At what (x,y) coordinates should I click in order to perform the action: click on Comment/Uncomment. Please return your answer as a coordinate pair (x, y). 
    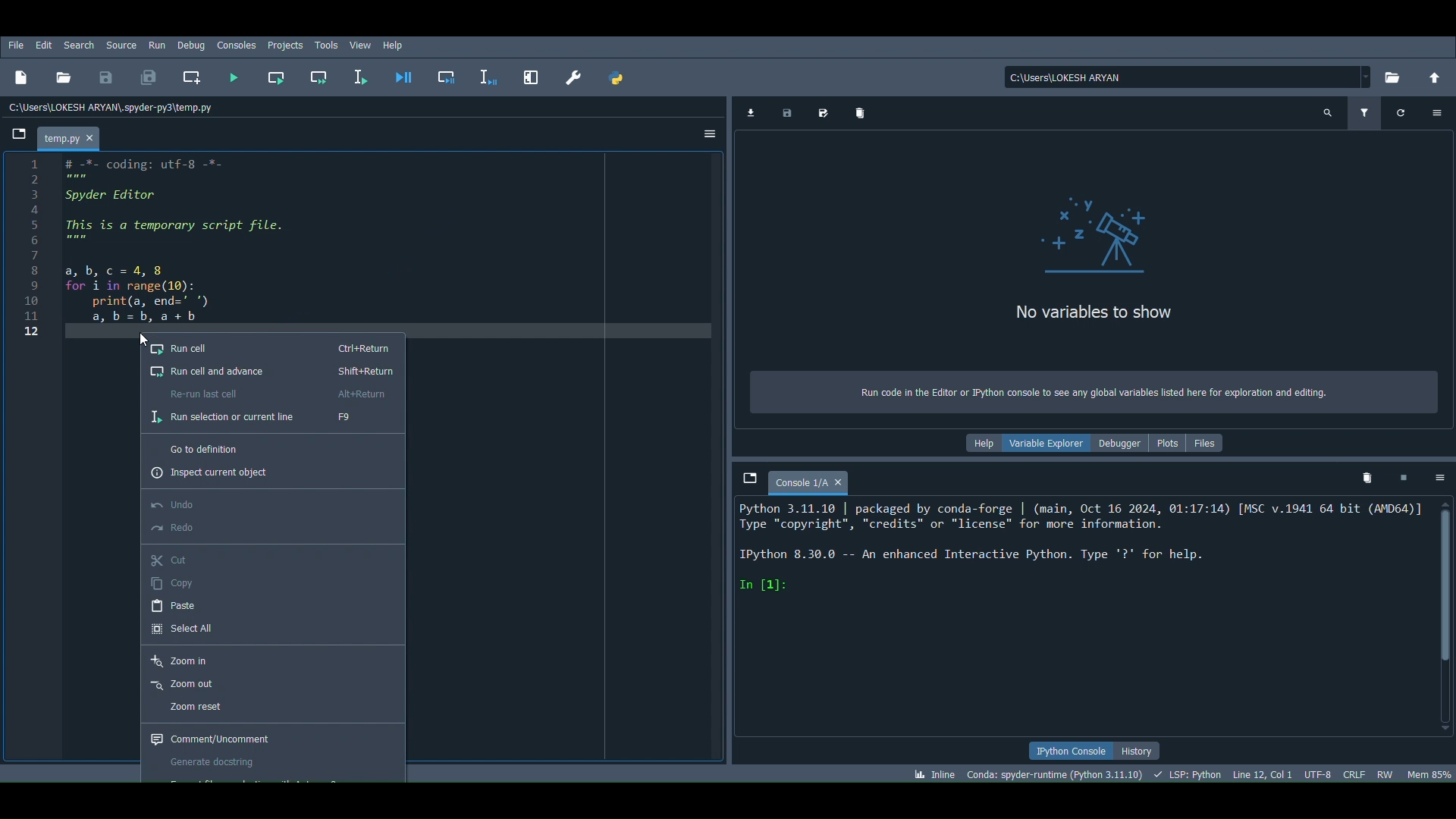
    Looking at the image, I should click on (273, 739).